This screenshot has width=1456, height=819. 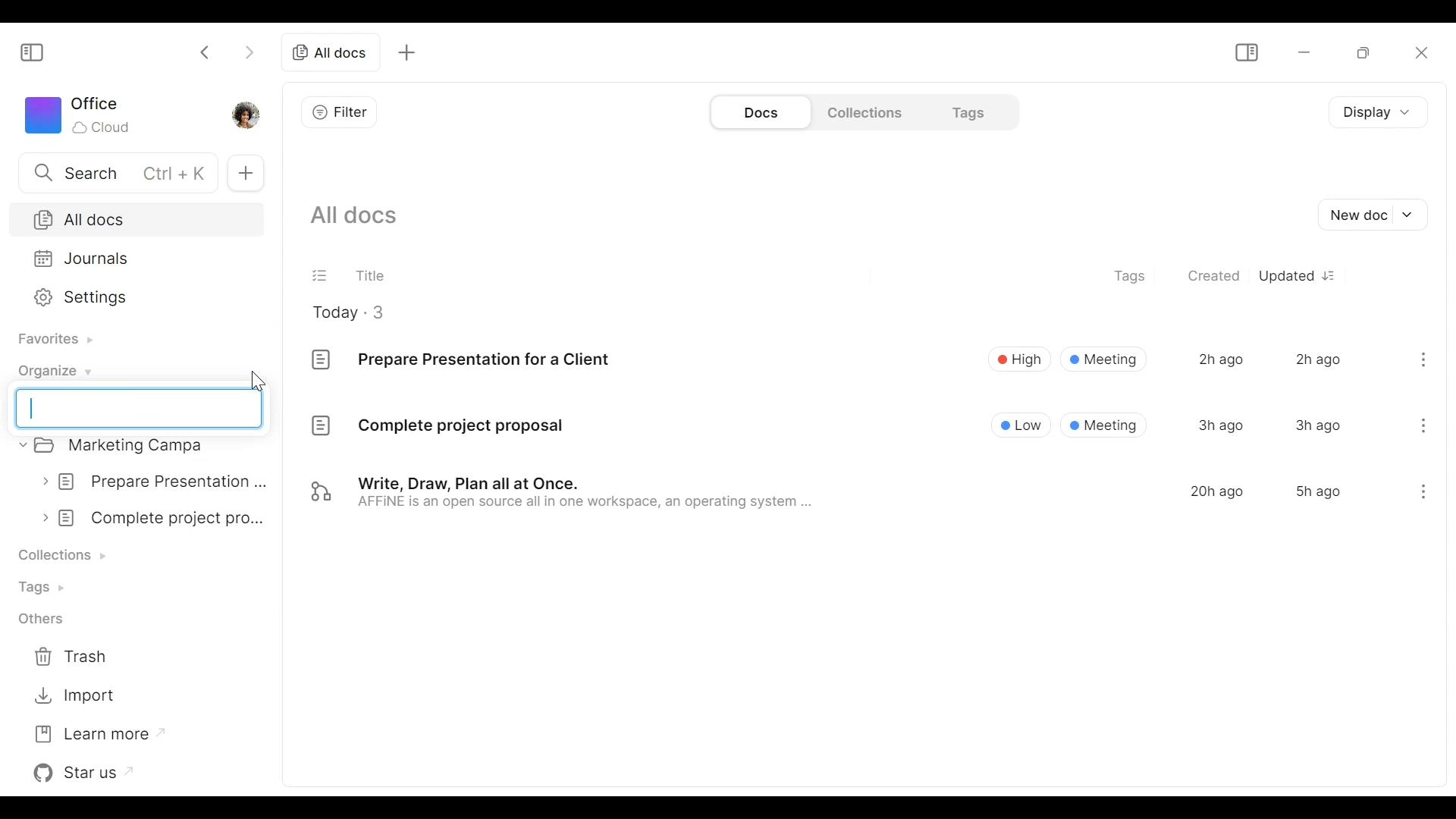 What do you see at coordinates (966, 111) in the screenshot?
I see `Tags` at bounding box center [966, 111].